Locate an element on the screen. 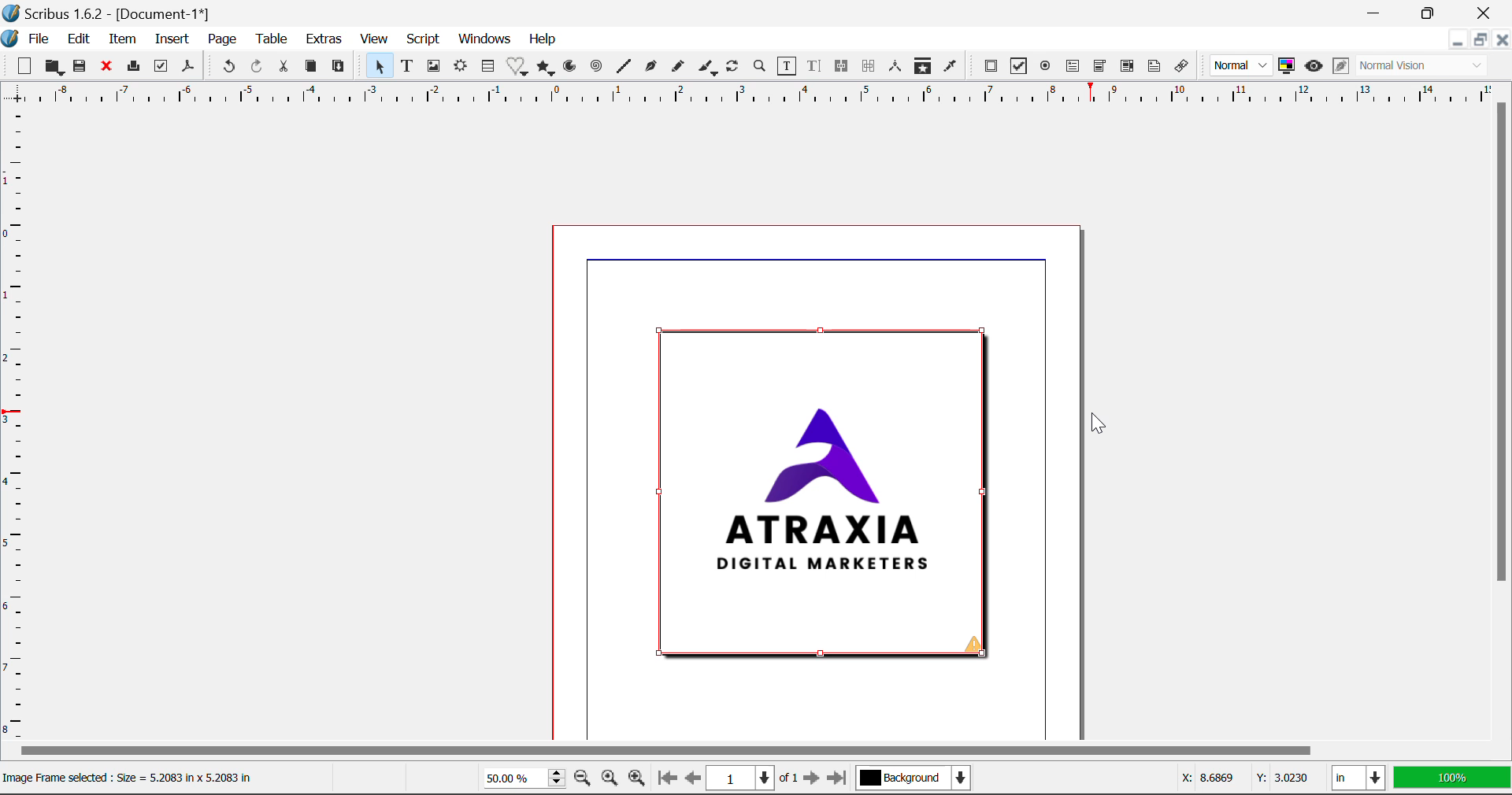  Script is located at coordinates (424, 38).